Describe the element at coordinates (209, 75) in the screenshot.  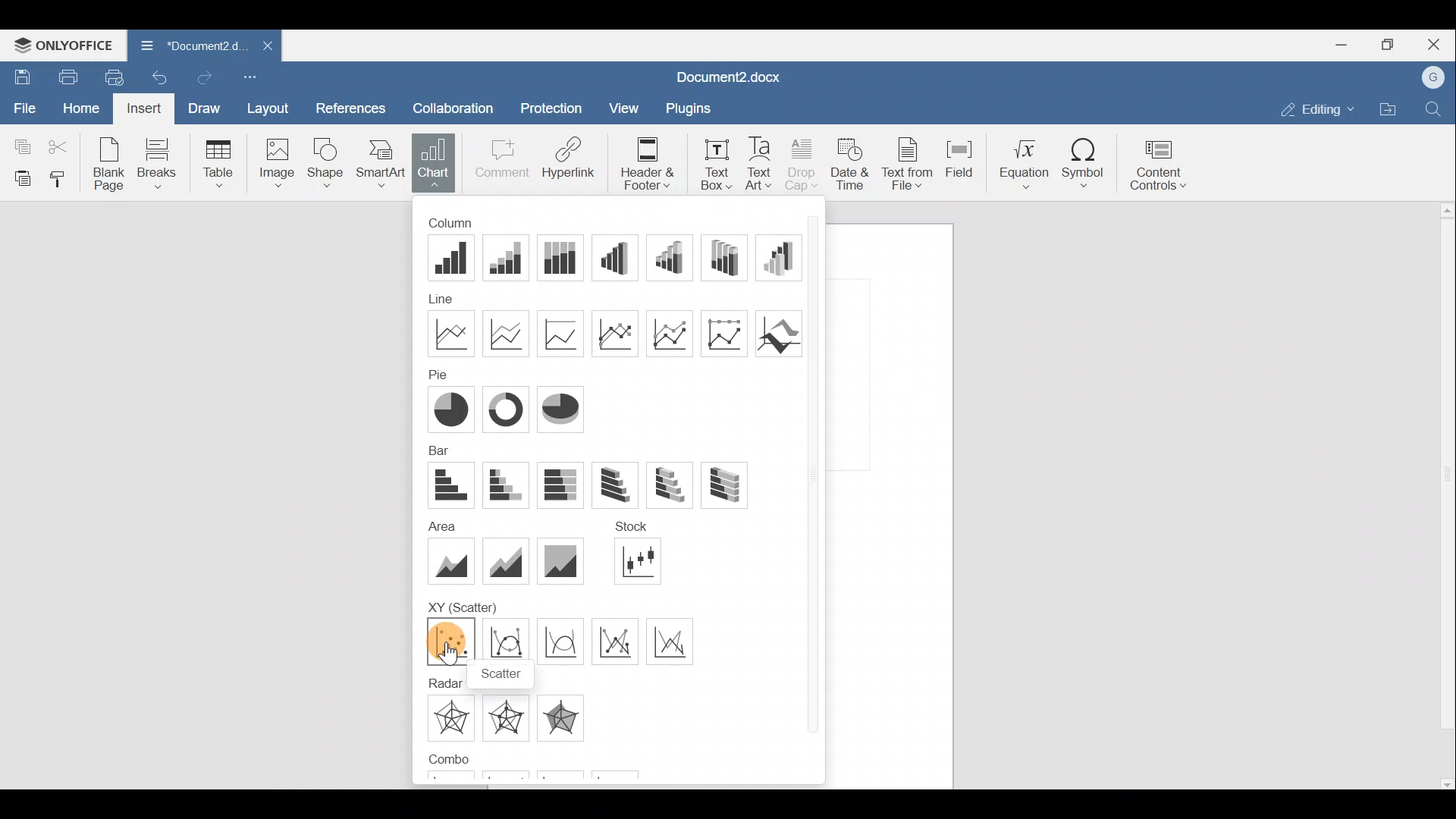
I see `Redo` at that location.